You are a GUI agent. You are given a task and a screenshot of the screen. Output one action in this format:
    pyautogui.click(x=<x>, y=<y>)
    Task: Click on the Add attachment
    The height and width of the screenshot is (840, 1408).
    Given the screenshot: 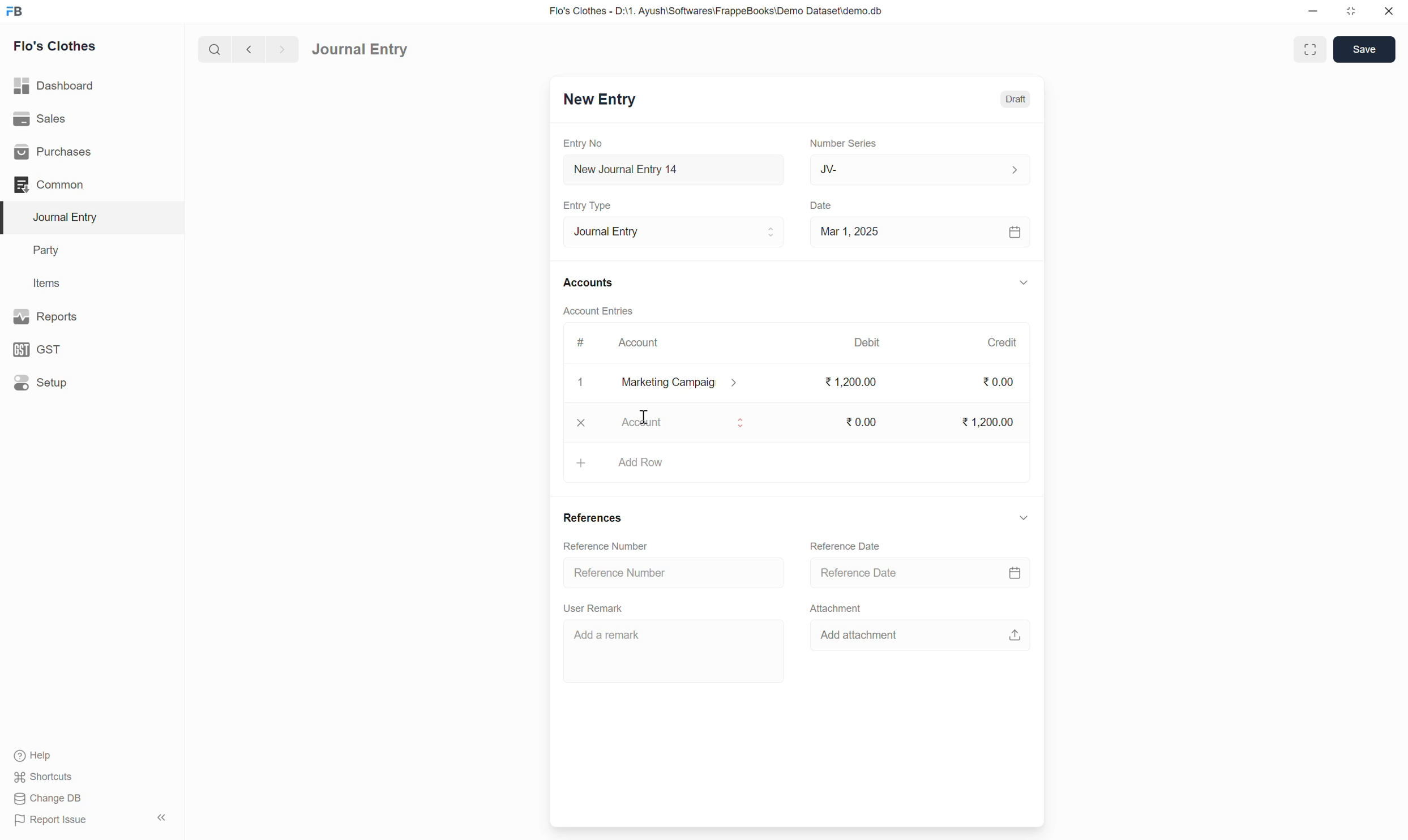 What is the action you would take?
    pyautogui.click(x=869, y=634)
    